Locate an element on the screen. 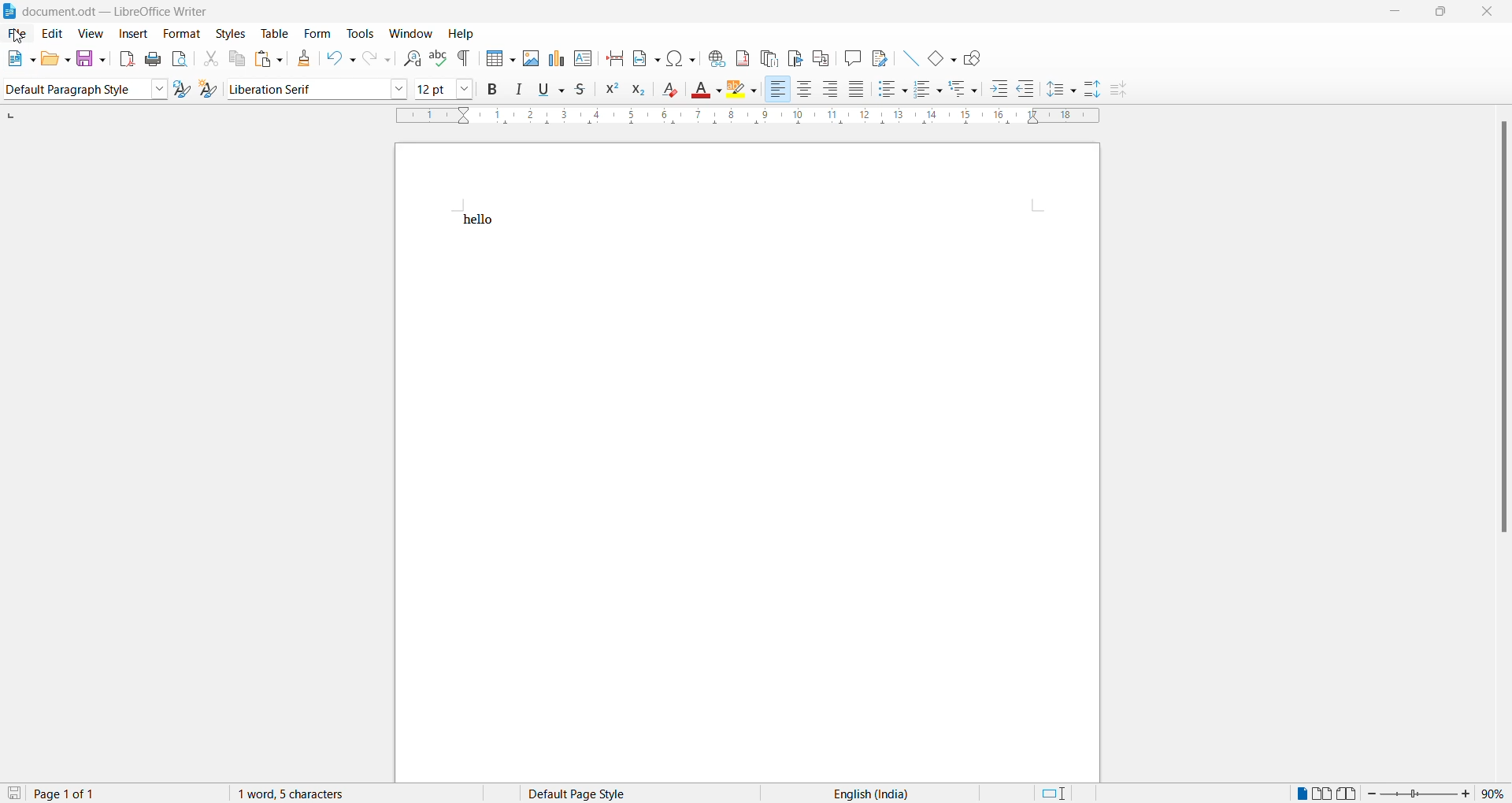 The height and width of the screenshot is (803, 1512). text colour is located at coordinates (707, 89).